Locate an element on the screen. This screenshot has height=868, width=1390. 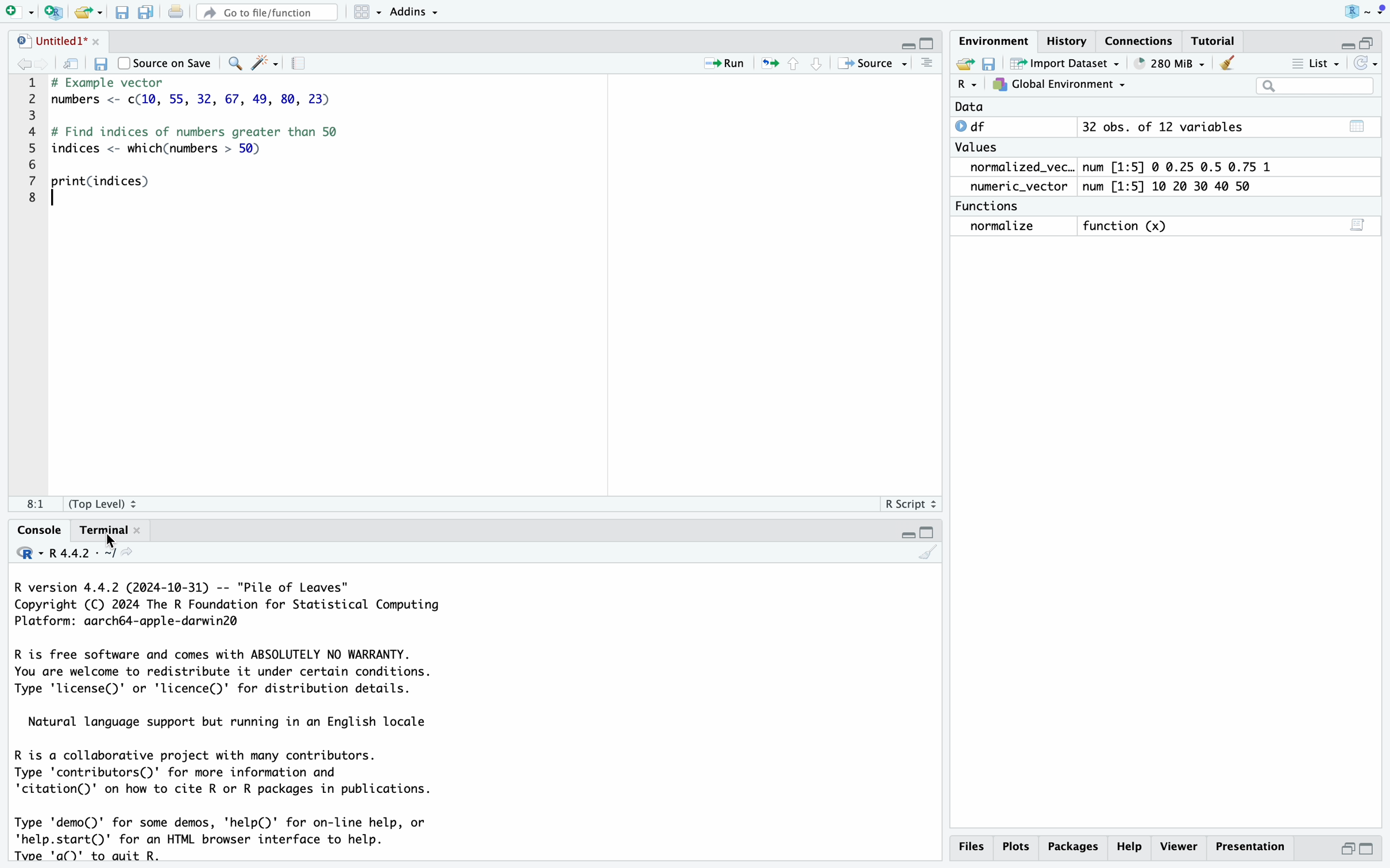
new project is located at coordinates (51, 11).